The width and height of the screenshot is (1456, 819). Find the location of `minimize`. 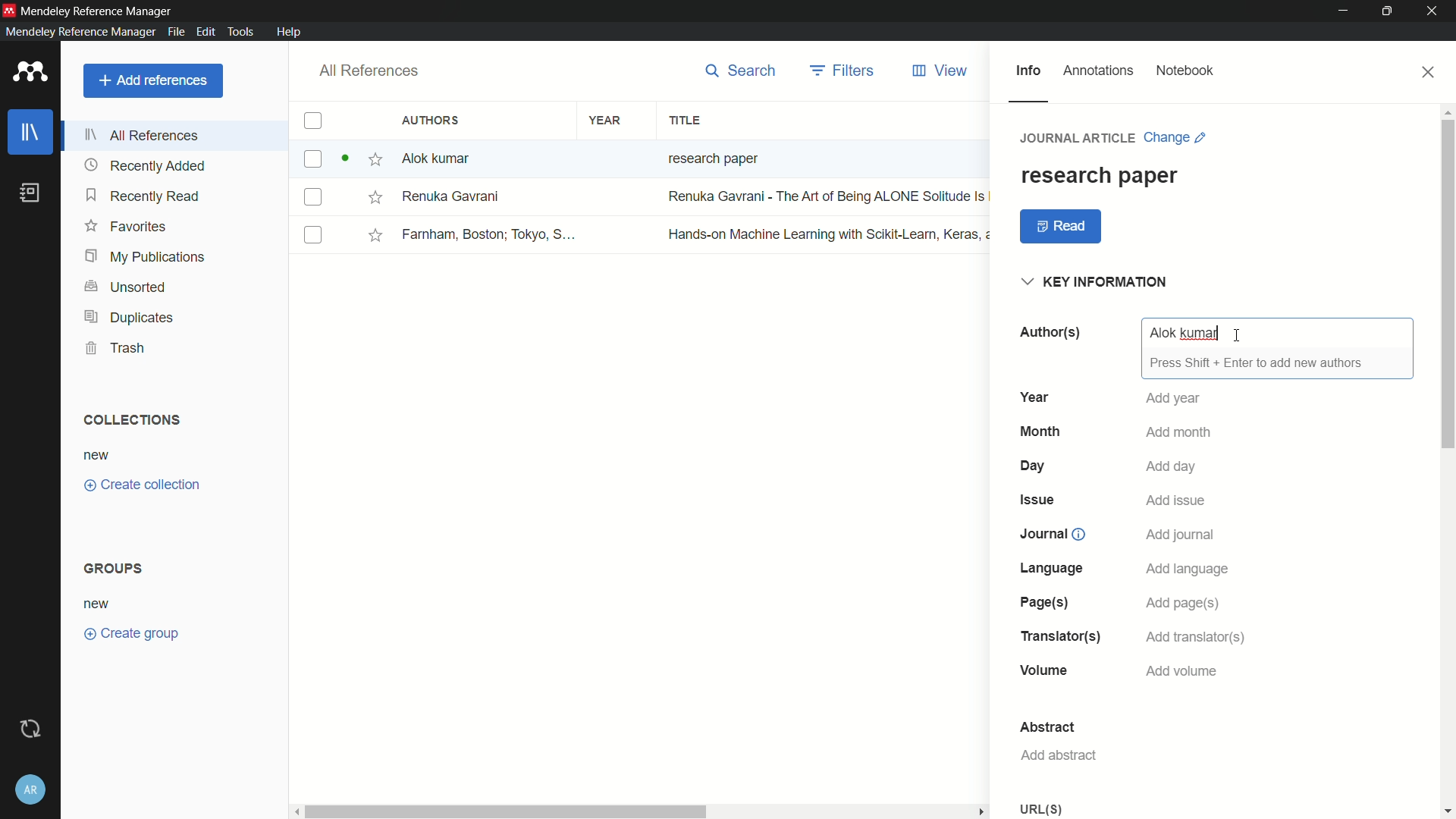

minimize is located at coordinates (1344, 11).